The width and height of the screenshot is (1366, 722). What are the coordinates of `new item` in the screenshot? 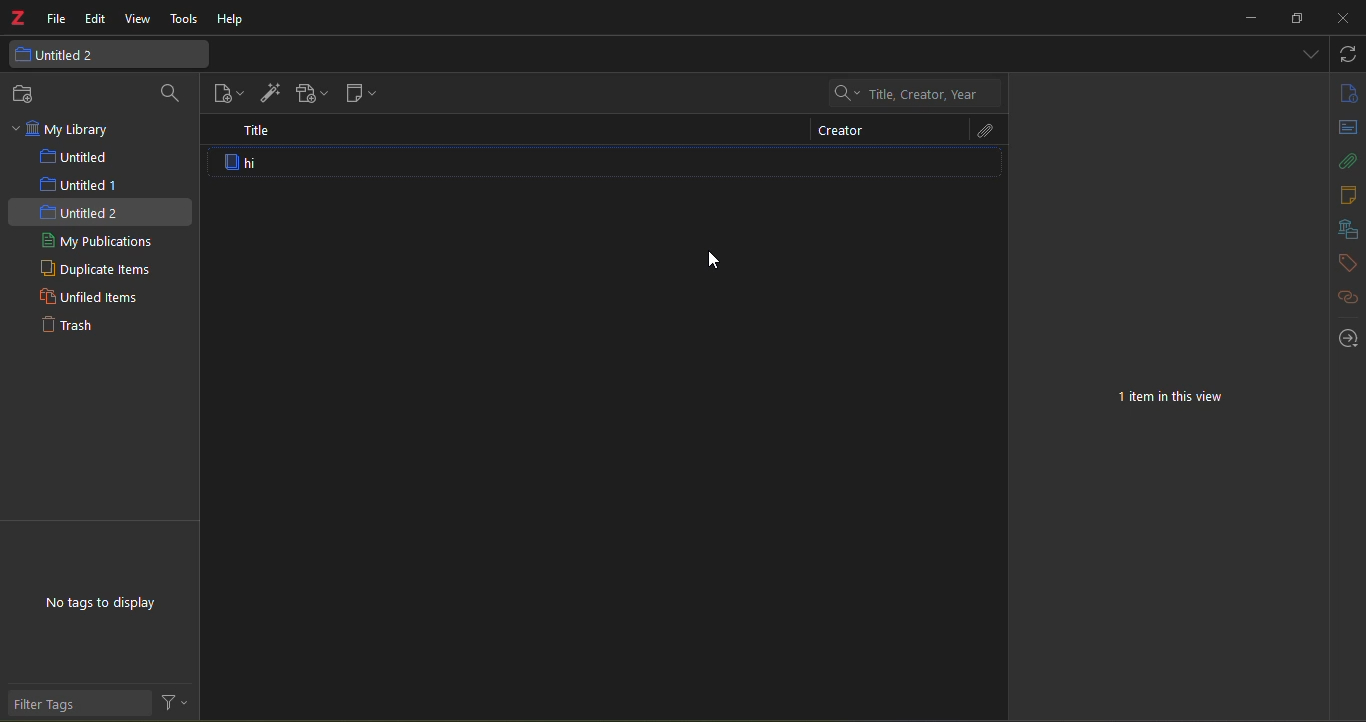 It's located at (229, 94).